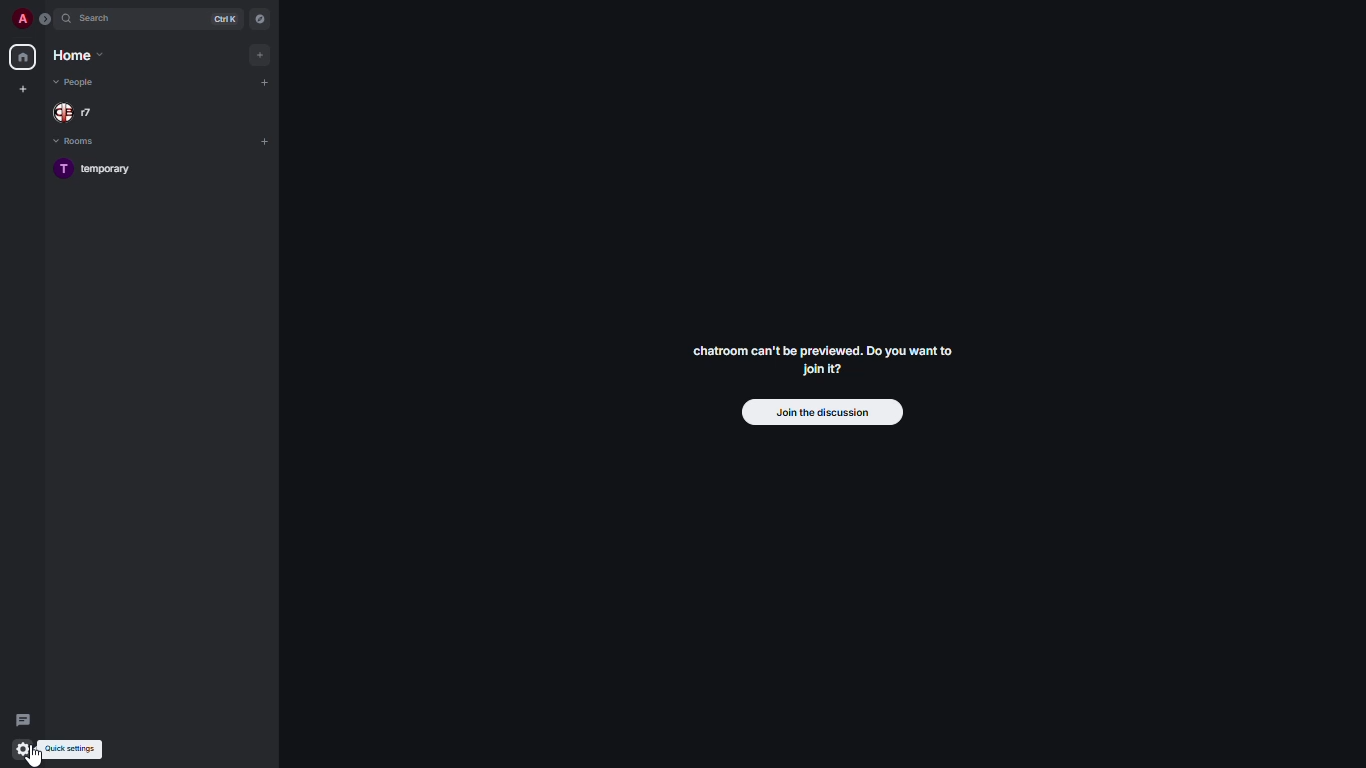 The height and width of the screenshot is (768, 1366). I want to click on a, so click(22, 18).